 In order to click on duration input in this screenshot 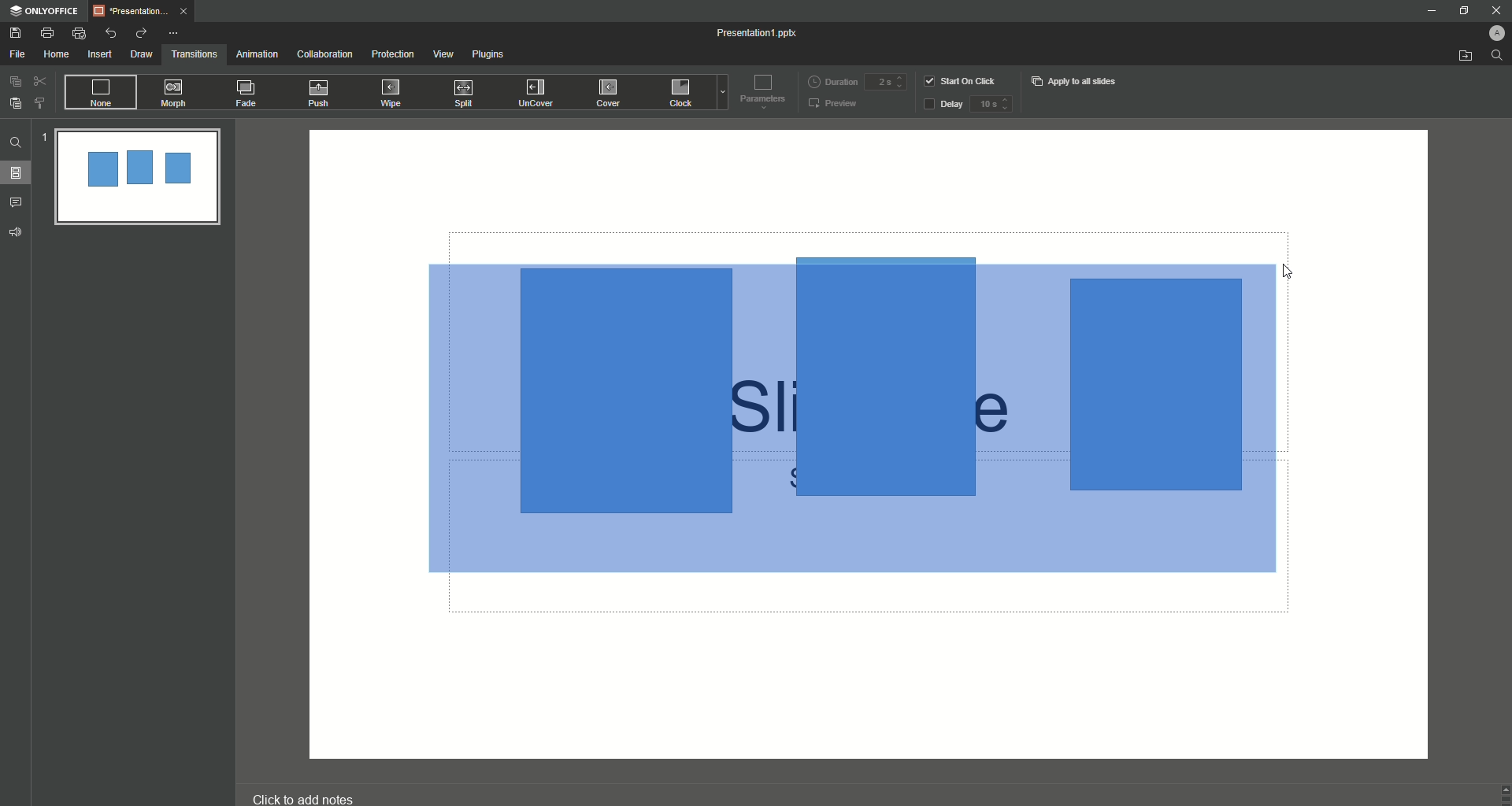, I will do `click(885, 83)`.